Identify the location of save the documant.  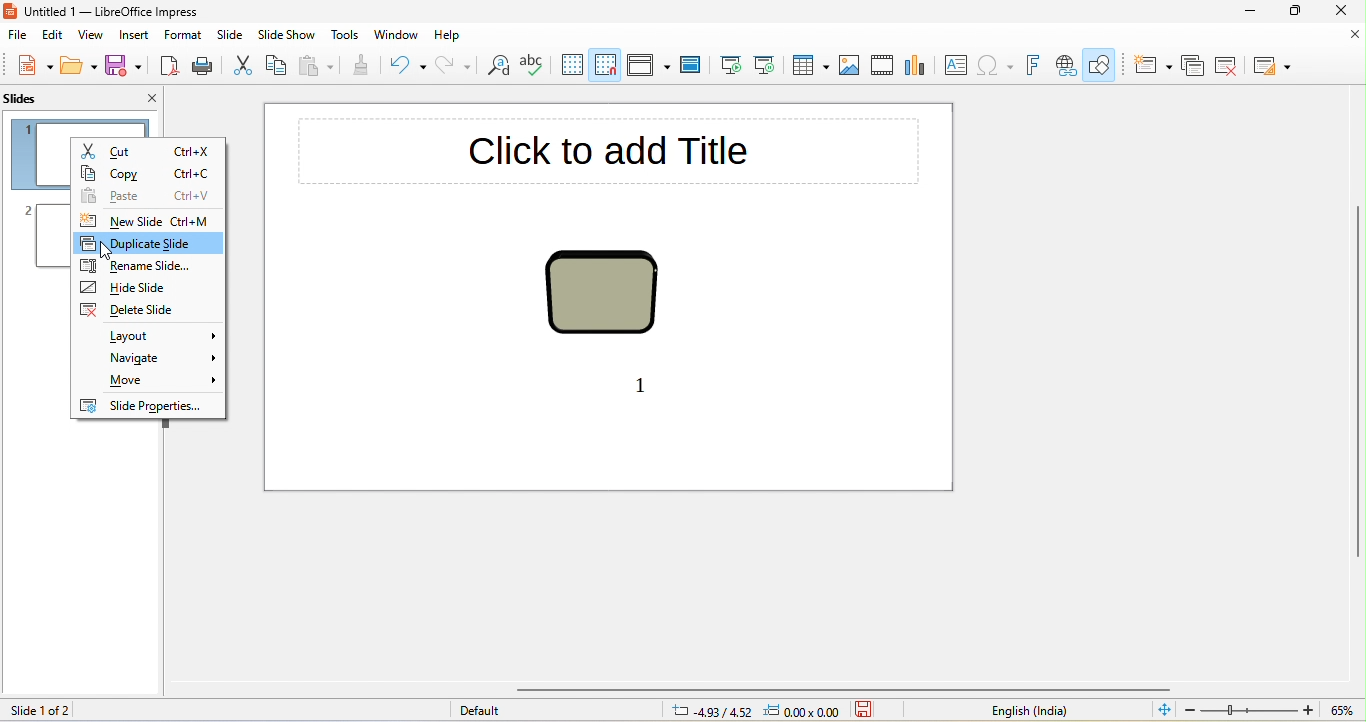
(873, 711).